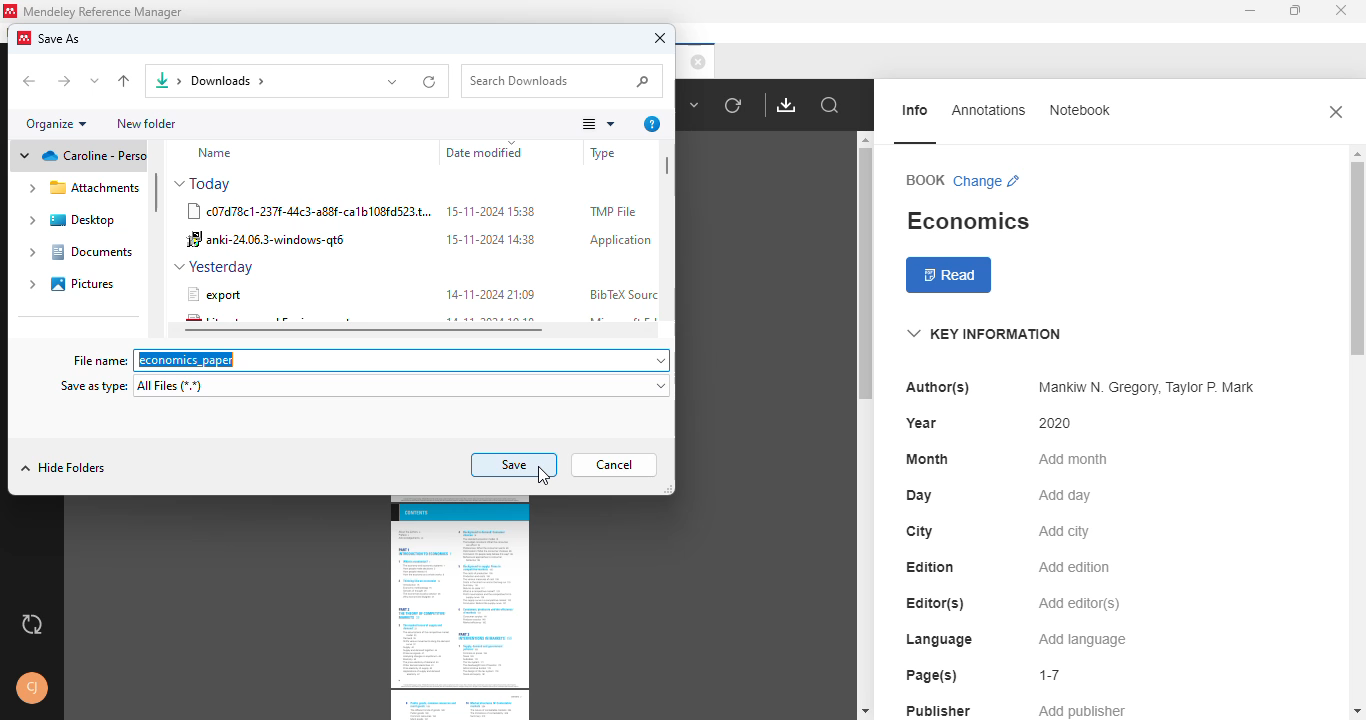 The width and height of the screenshot is (1366, 720). What do you see at coordinates (31, 82) in the screenshot?
I see `back` at bounding box center [31, 82].